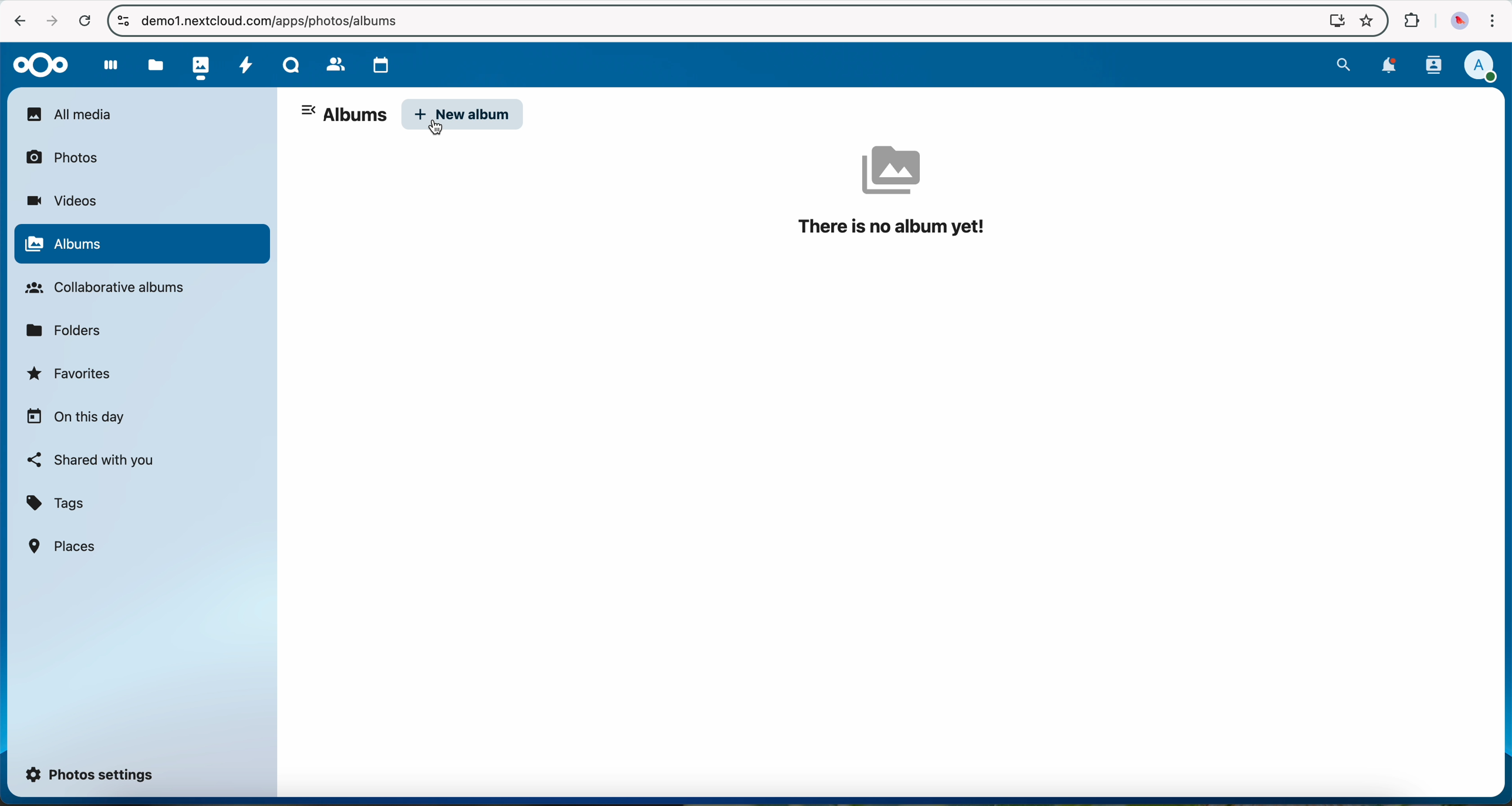 Image resolution: width=1512 pixels, height=806 pixels. I want to click on videos, so click(61, 201).